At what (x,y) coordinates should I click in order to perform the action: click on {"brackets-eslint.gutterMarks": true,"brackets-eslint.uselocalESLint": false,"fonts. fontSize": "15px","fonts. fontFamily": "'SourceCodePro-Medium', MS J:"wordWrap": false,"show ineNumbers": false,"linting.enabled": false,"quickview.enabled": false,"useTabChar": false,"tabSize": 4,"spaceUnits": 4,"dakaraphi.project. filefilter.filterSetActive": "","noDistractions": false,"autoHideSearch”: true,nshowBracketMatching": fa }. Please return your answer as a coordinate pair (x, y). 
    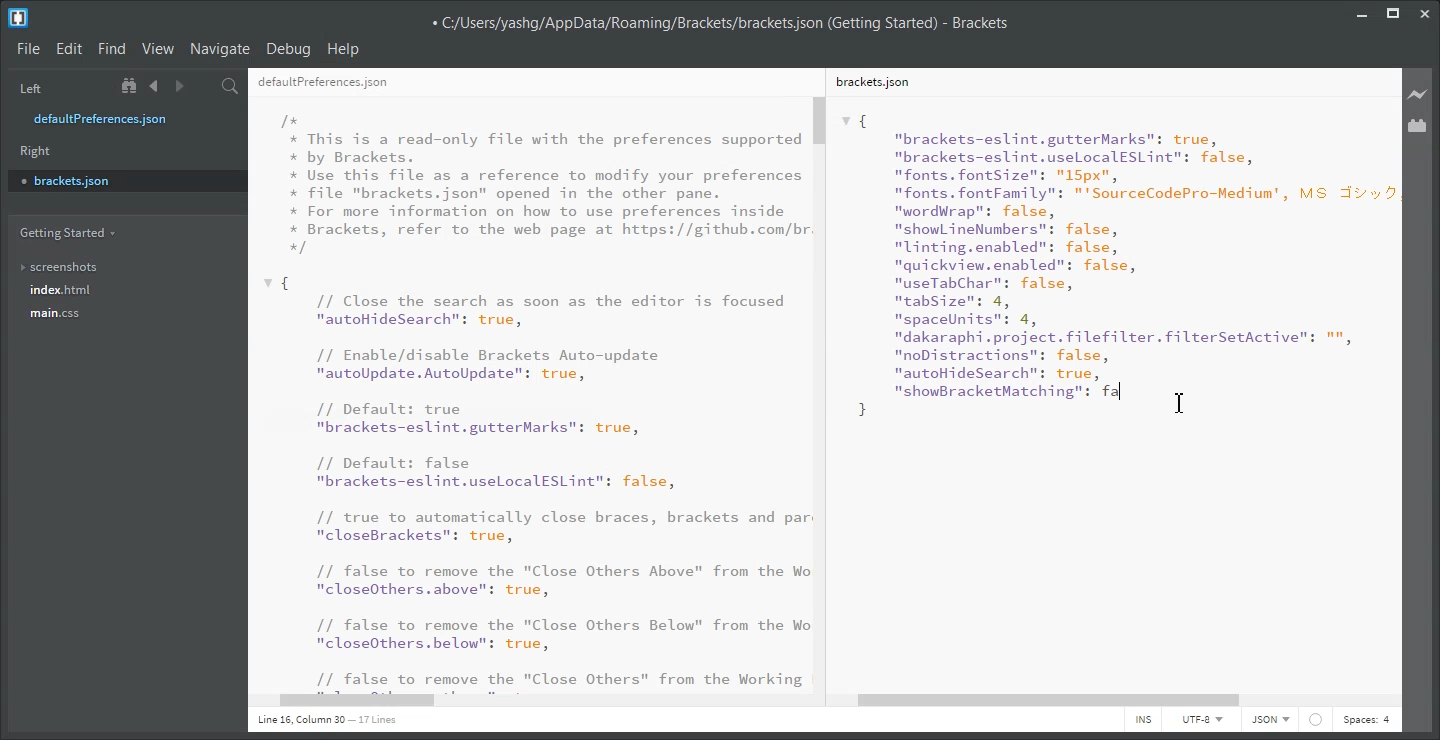
    Looking at the image, I should click on (1117, 265).